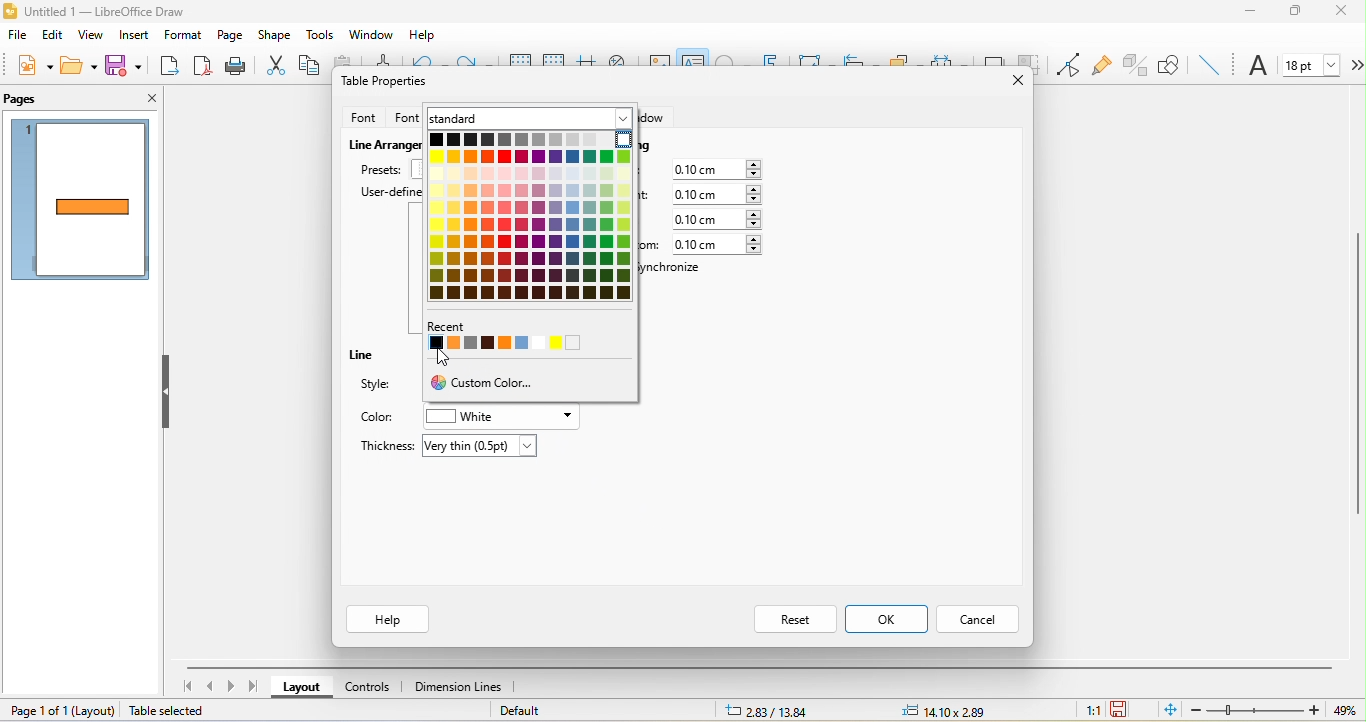  What do you see at coordinates (231, 37) in the screenshot?
I see `page` at bounding box center [231, 37].